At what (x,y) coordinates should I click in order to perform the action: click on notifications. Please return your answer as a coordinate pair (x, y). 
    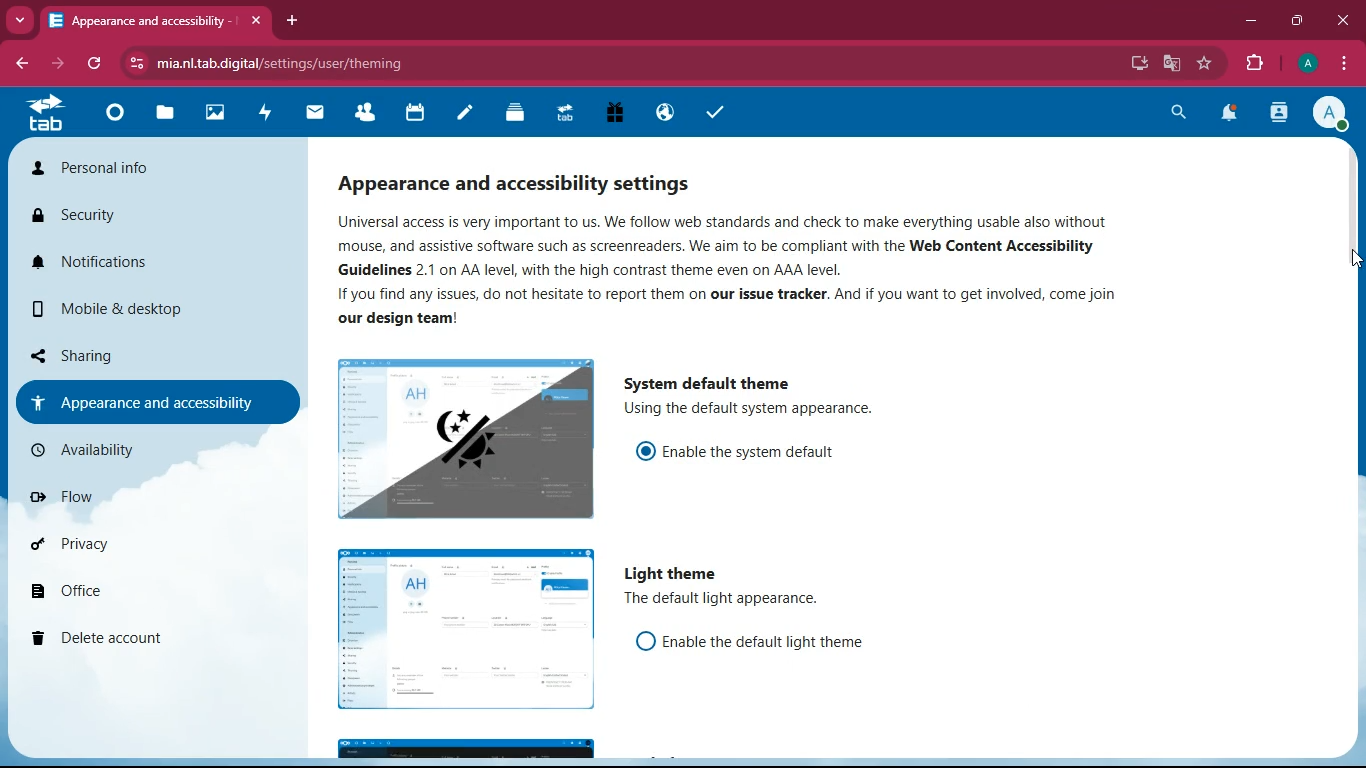
    Looking at the image, I should click on (1230, 114).